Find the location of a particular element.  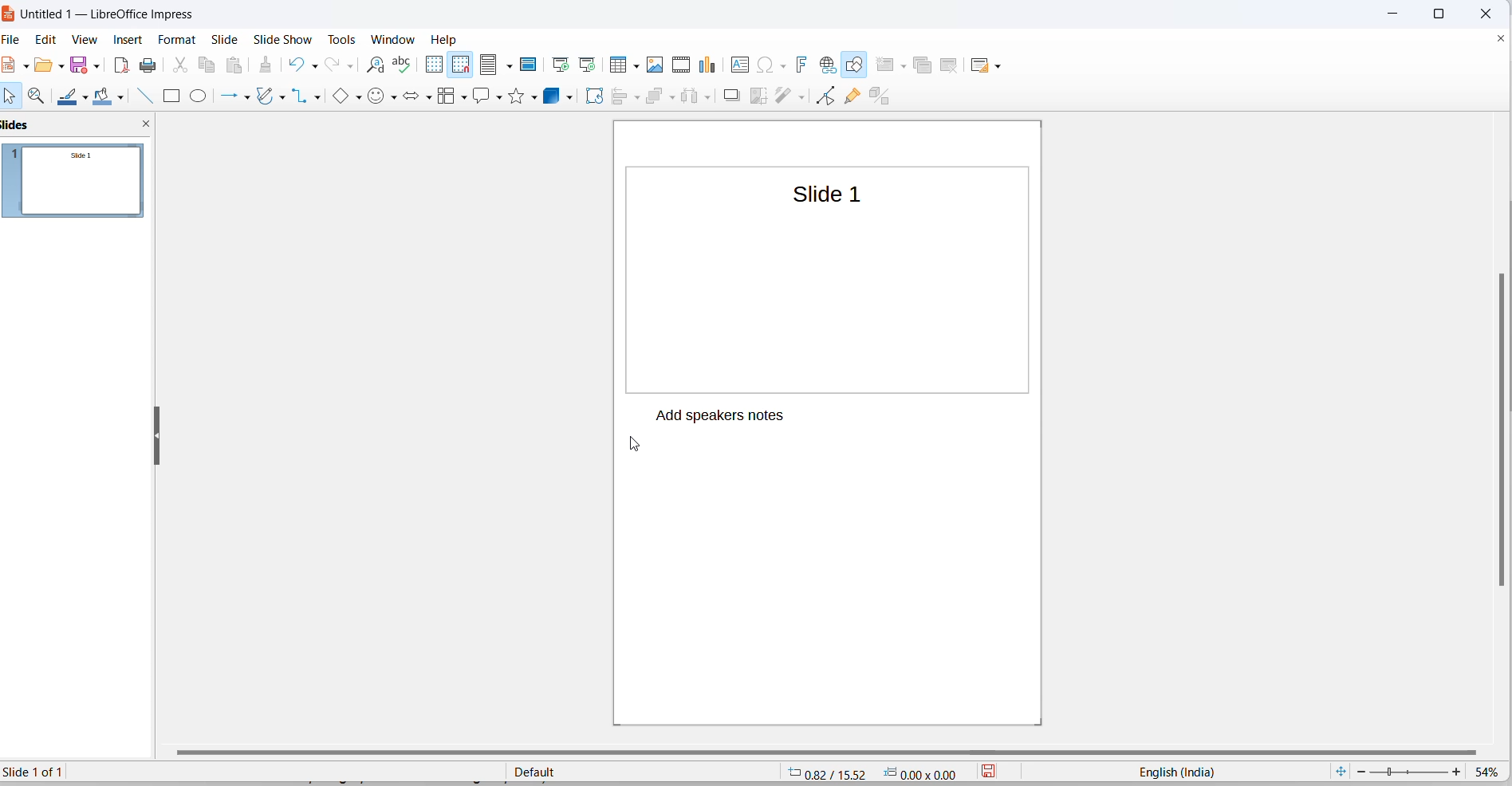

insert table is located at coordinates (617, 65).